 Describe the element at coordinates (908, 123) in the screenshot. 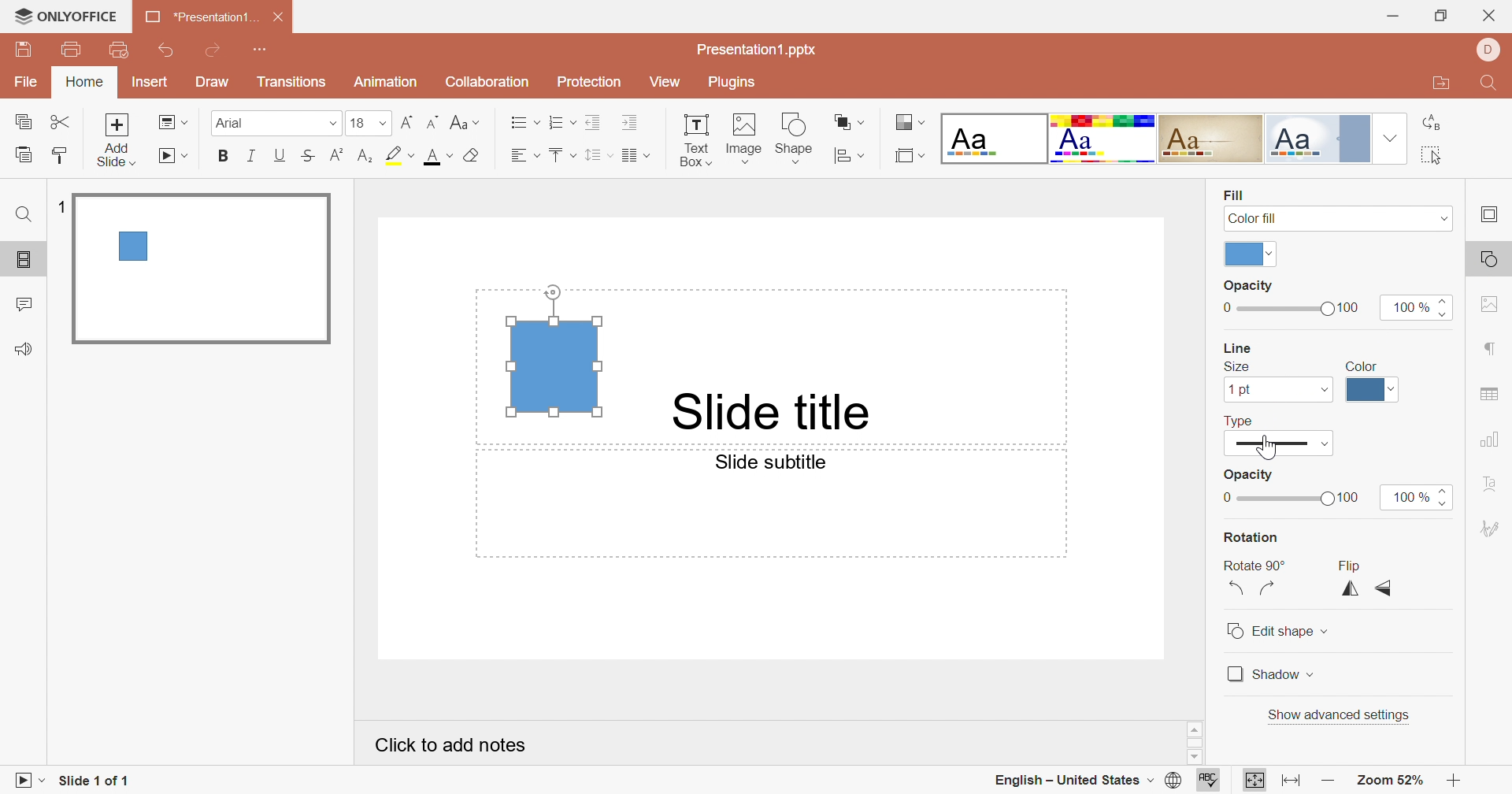

I see `Change color theme` at that location.